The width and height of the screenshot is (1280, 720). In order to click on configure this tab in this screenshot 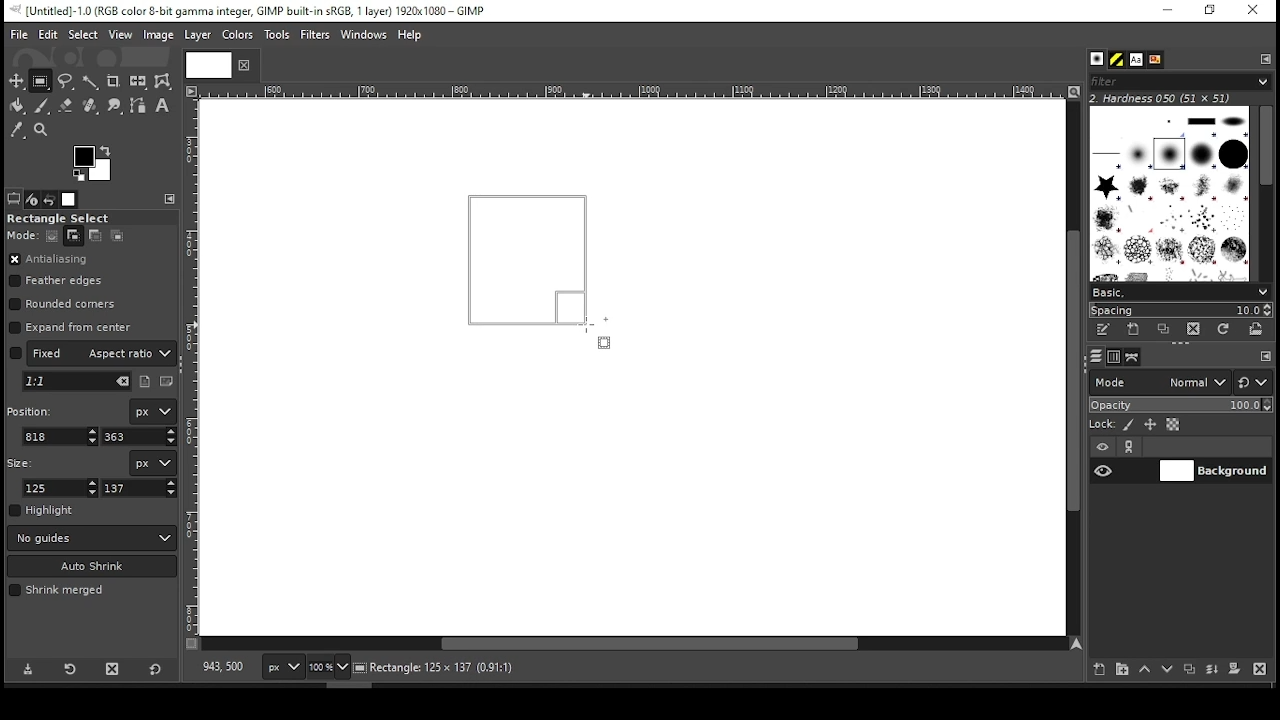, I will do `click(1267, 58)`.